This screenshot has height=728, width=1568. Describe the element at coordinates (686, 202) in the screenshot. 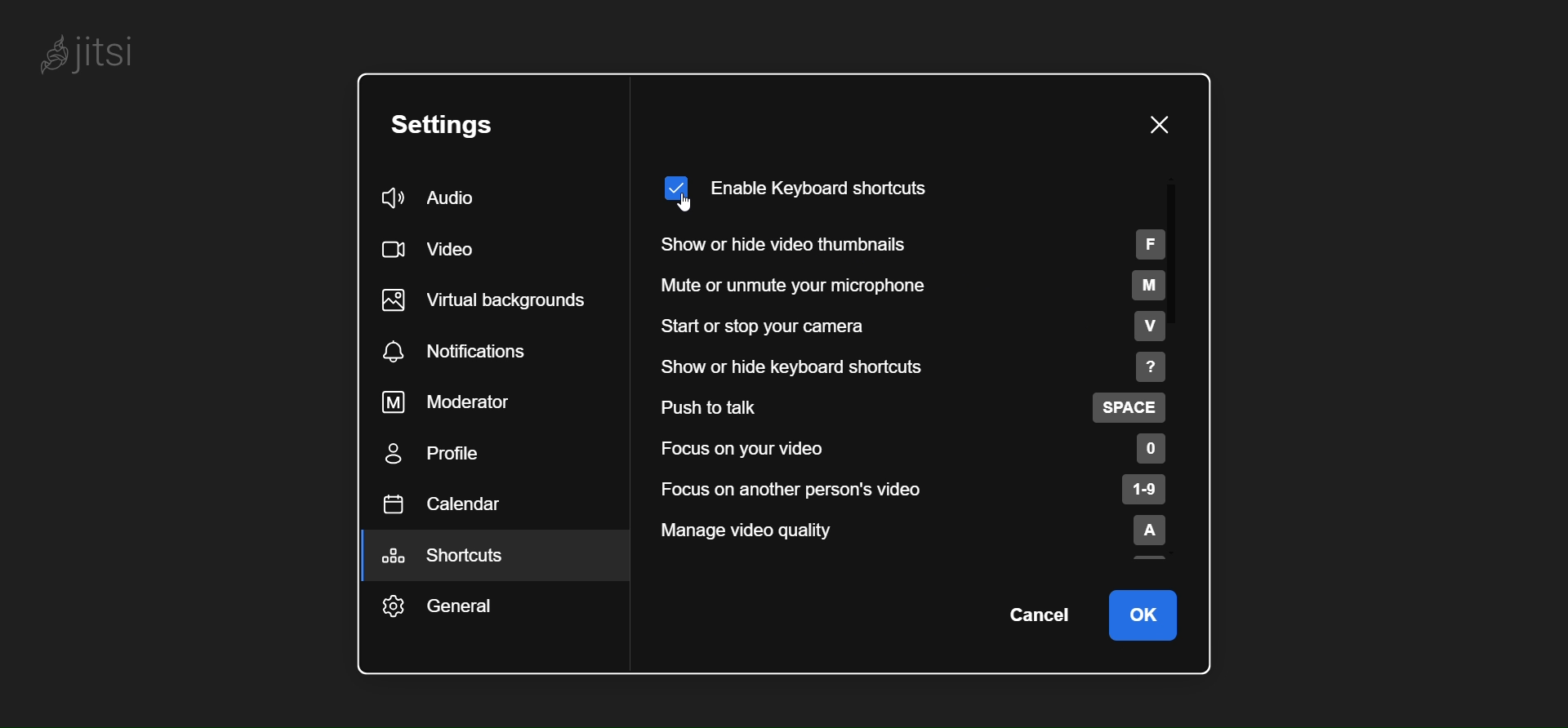

I see `cursor` at that location.